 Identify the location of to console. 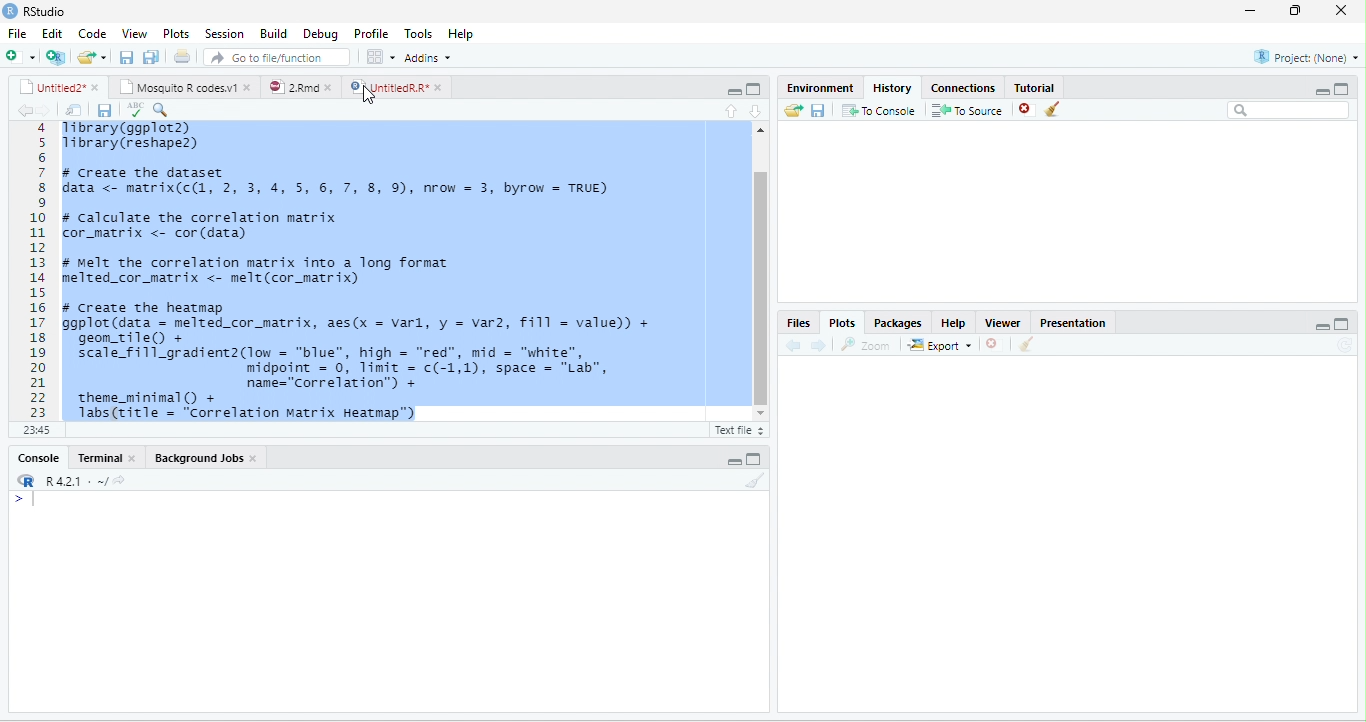
(880, 112).